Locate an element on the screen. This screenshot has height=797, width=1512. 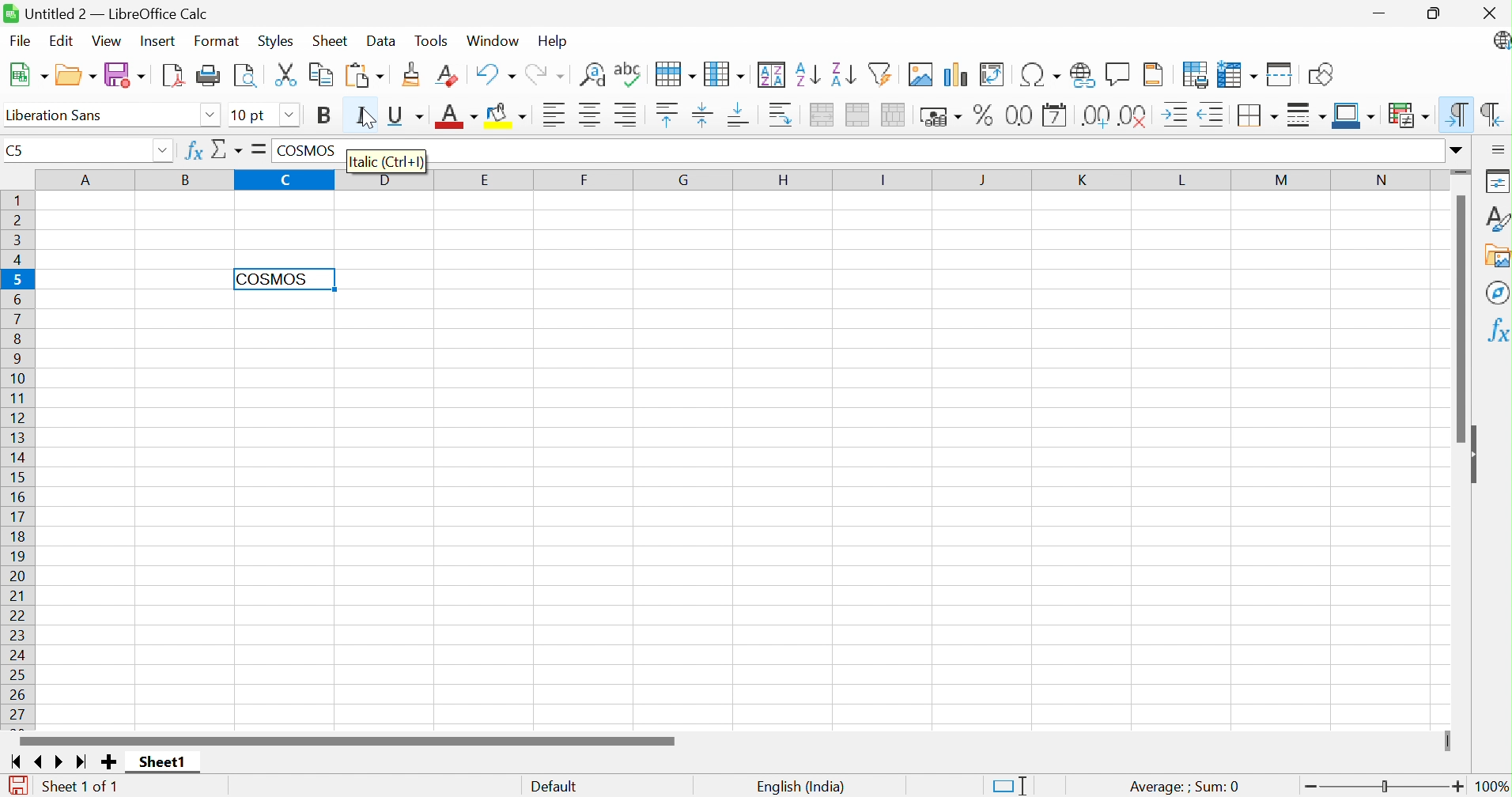
Column is located at coordinates (724, 74).